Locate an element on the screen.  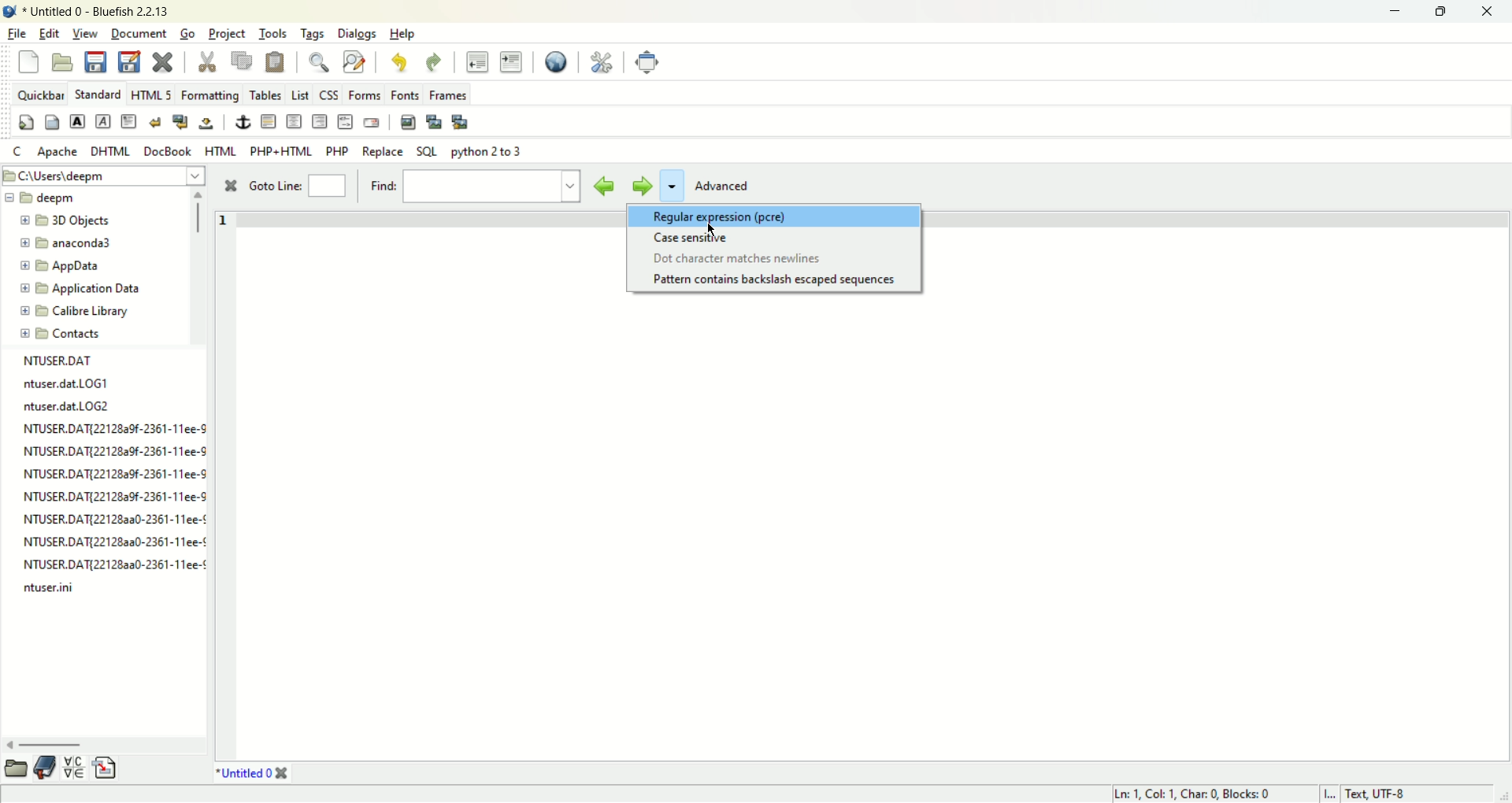
more options is located at coordinates (670, 188).